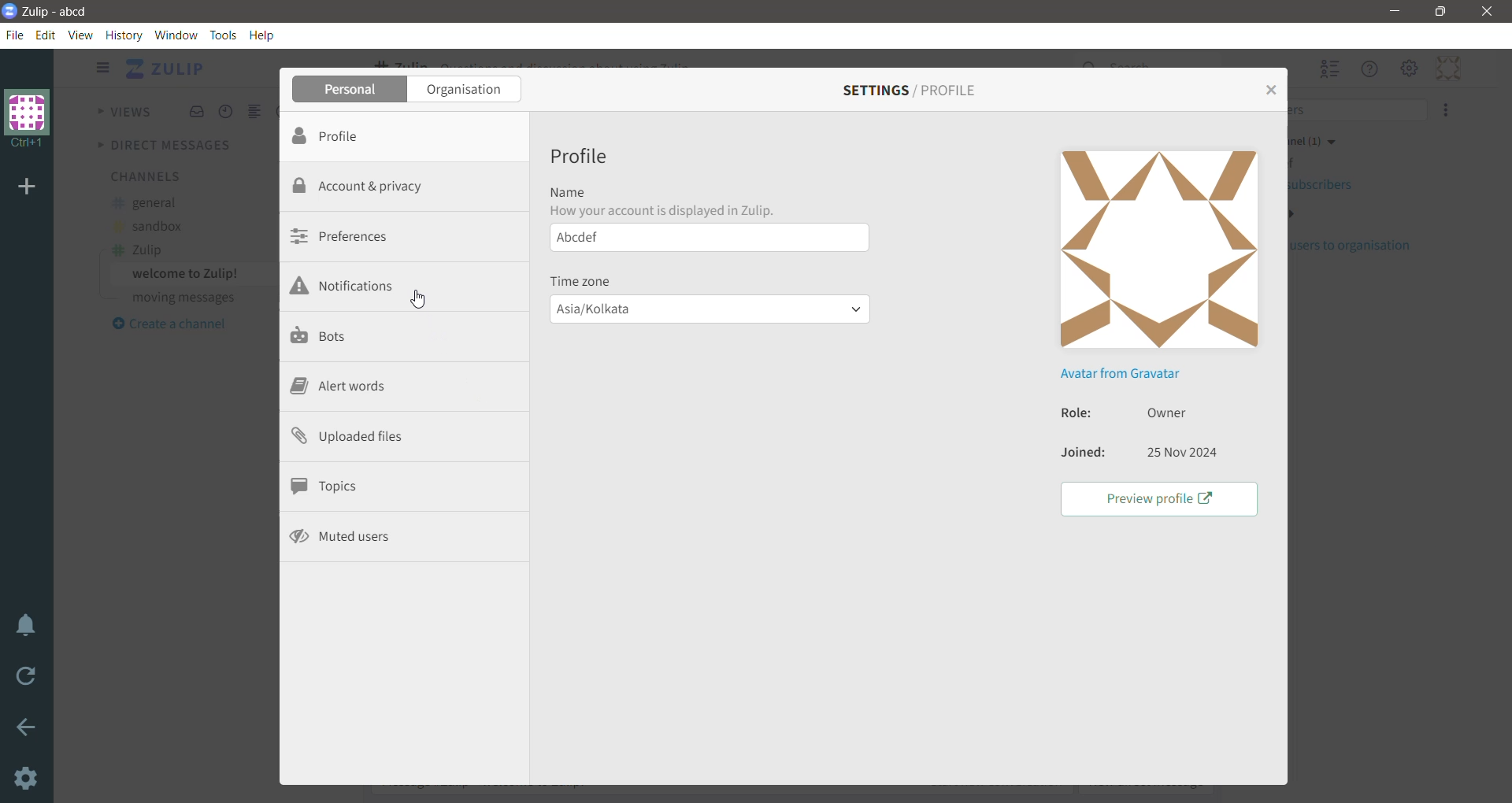 The height and width of the screenshot is (803, 1512). I want to click on File, so click(18, 35).